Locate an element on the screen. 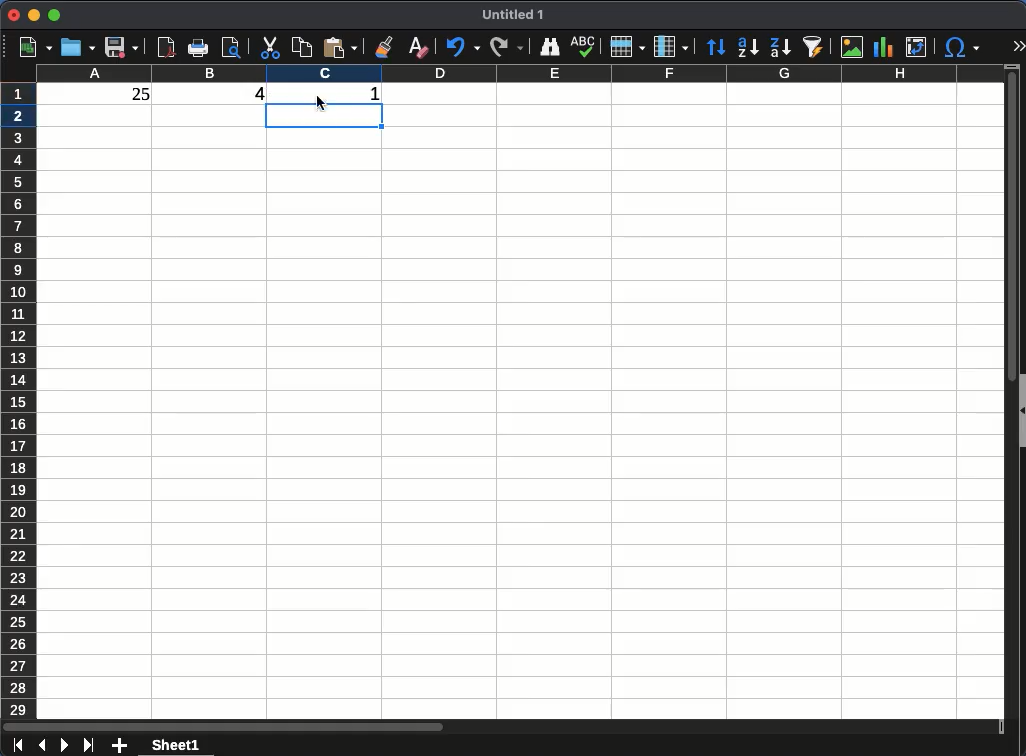 The width and height of the screenshot is (1026, 756). minimize is located at coordinates (34, 16).